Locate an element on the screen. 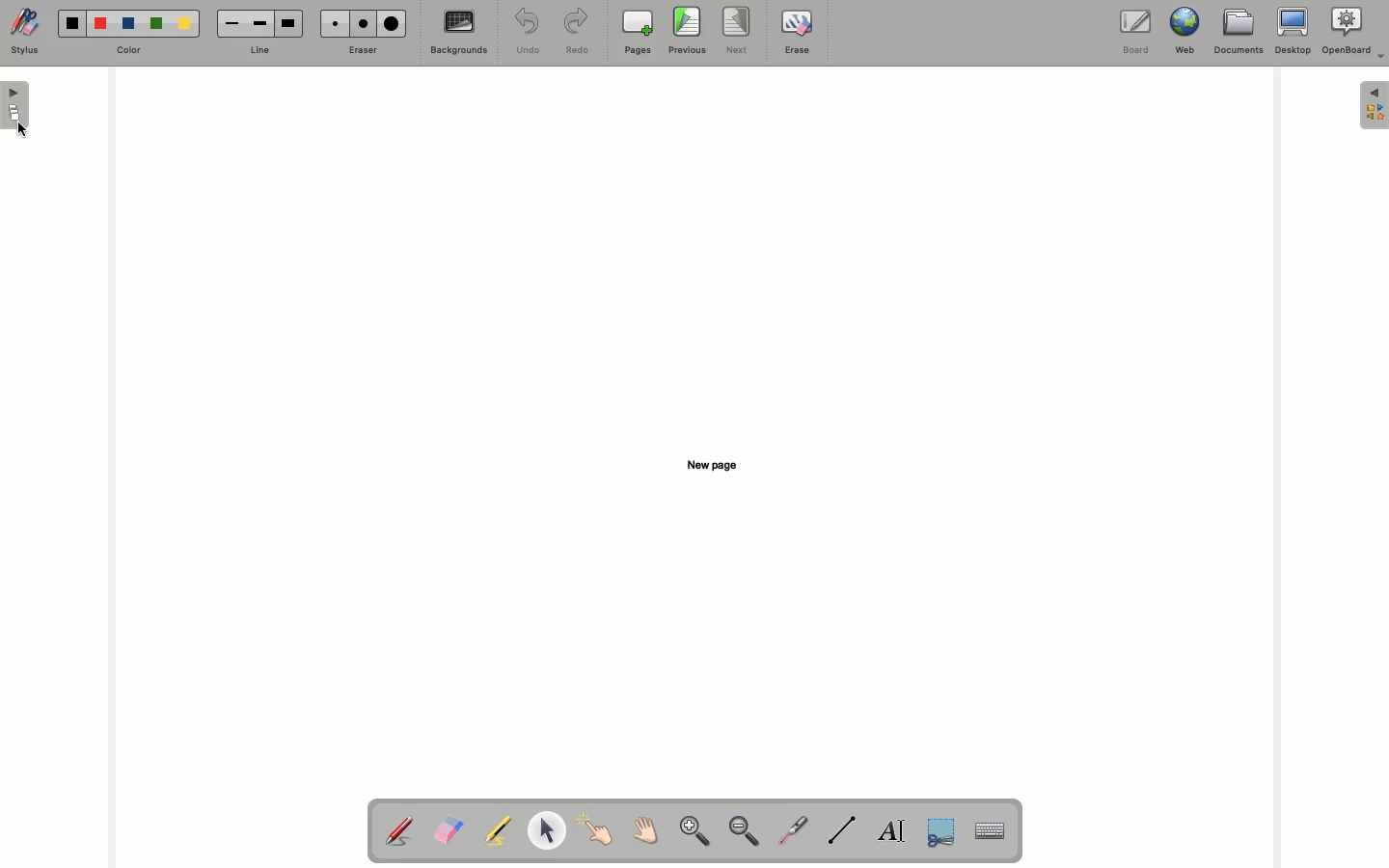 The image size is (1389, 868). Color 1 is located at coordinates (72, 24).